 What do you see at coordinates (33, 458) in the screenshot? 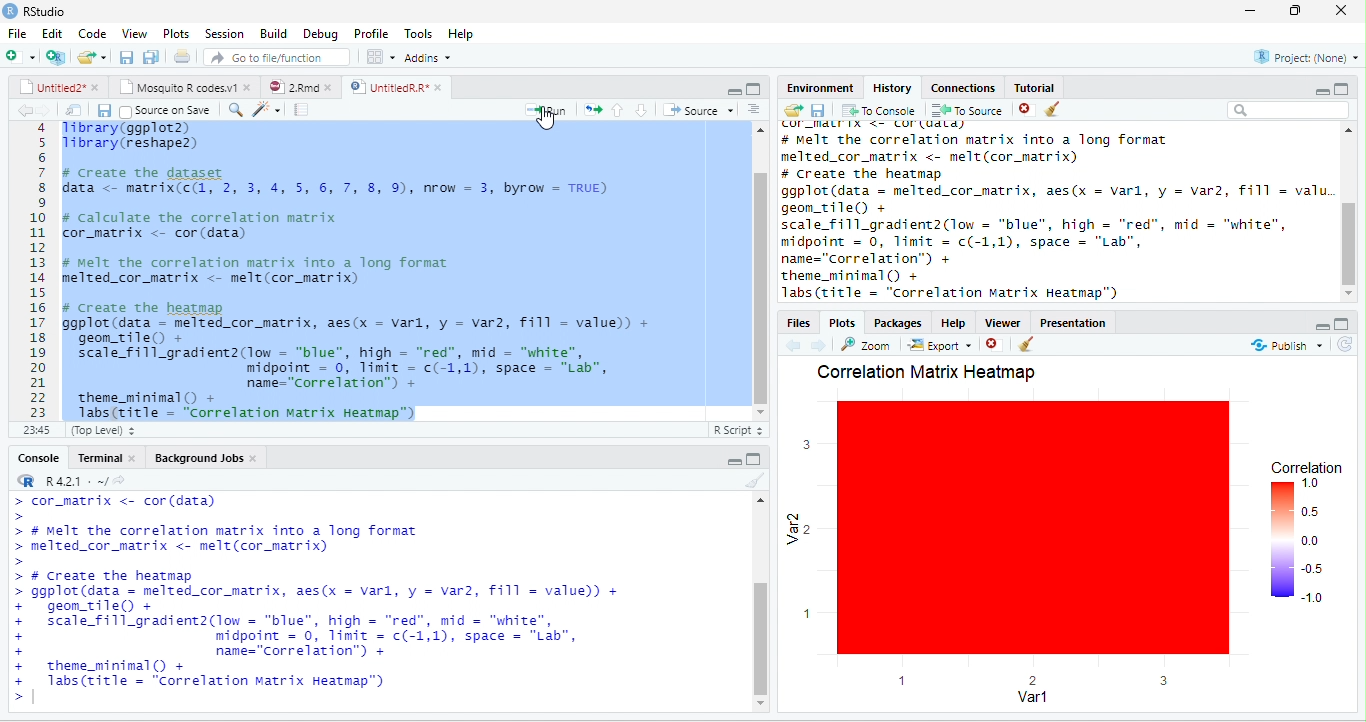
I see `console` at bounding box center [33, 458].